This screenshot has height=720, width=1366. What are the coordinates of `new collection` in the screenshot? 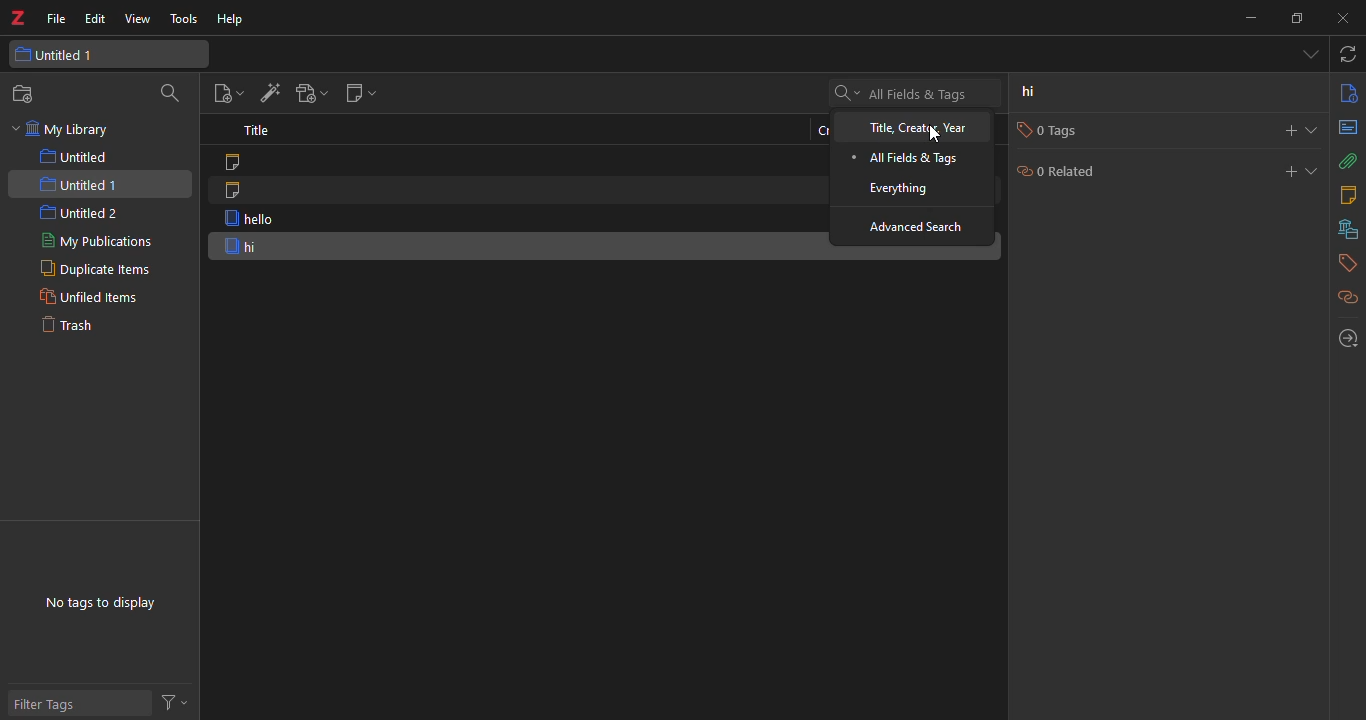 It's located at (26, 94).